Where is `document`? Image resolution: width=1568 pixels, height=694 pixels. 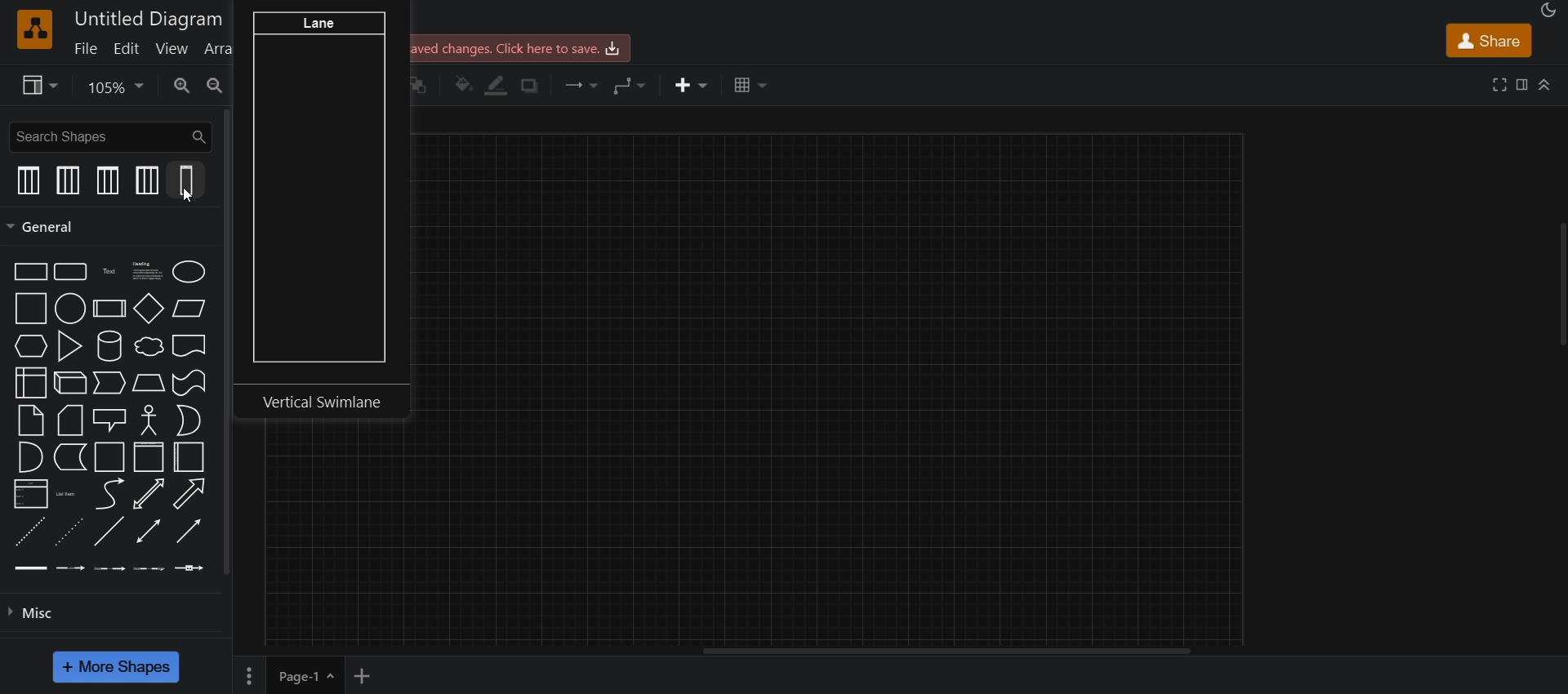
document is located at coordinates (191, 345).